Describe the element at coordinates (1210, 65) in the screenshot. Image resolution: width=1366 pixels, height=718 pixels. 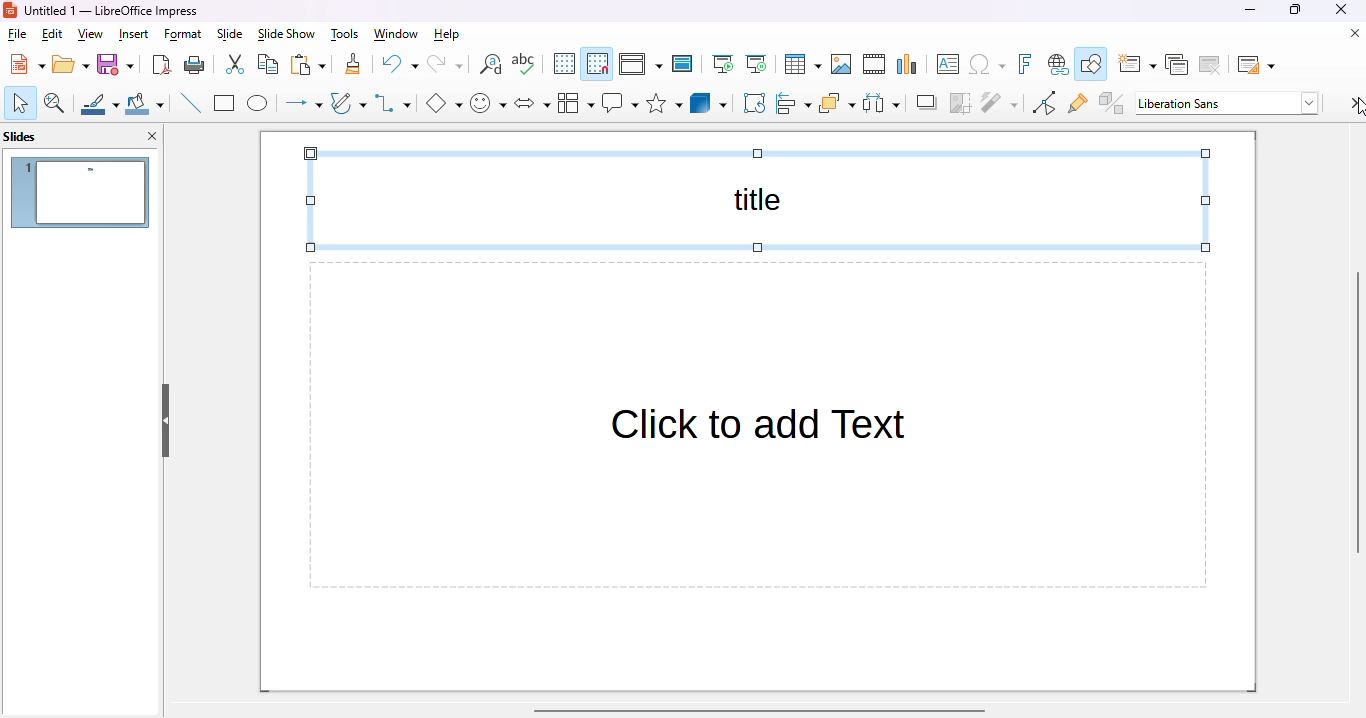
I see `delete slide` at that location.